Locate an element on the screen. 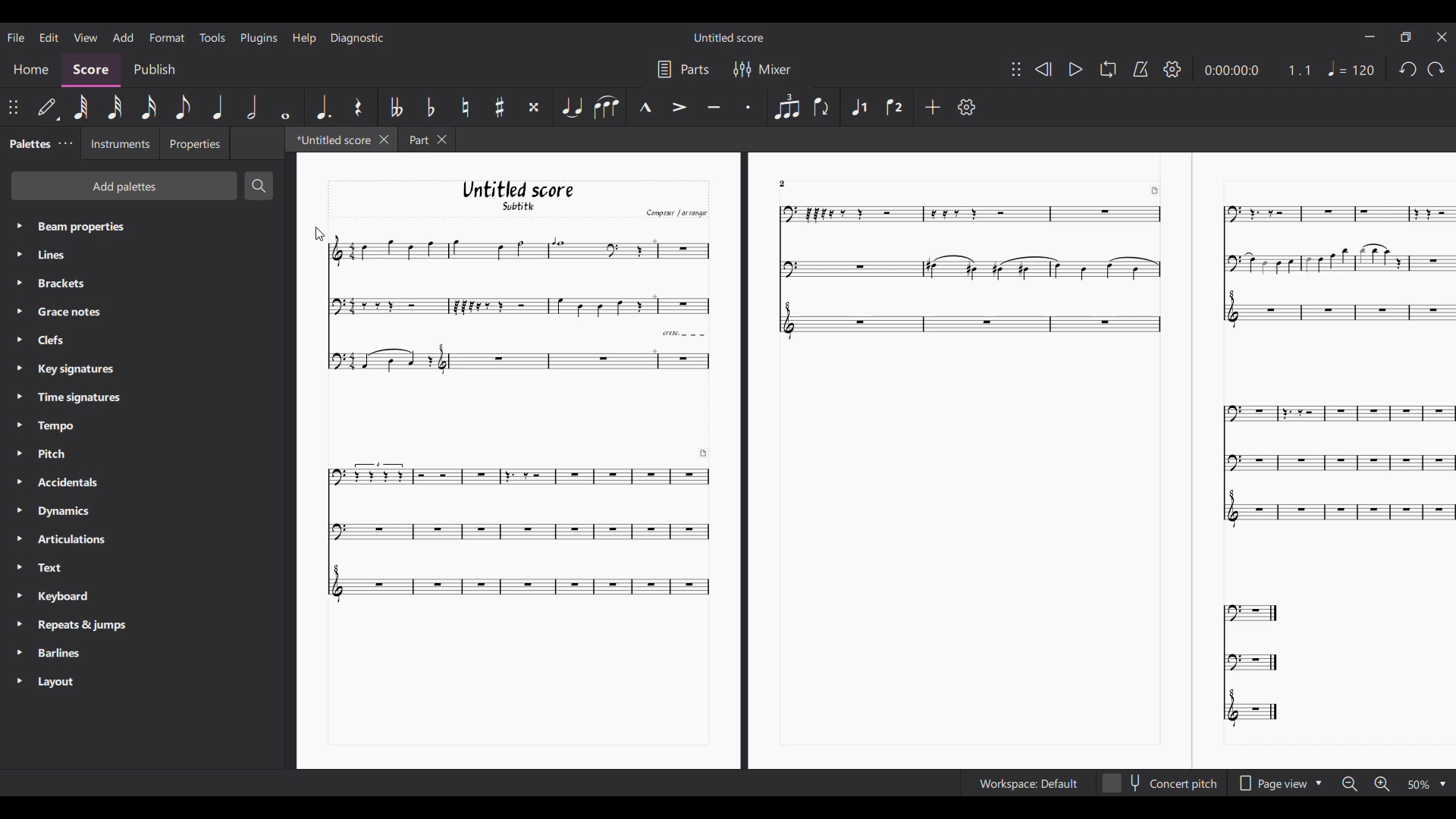  Change position is located at coordinates (1015, 68).